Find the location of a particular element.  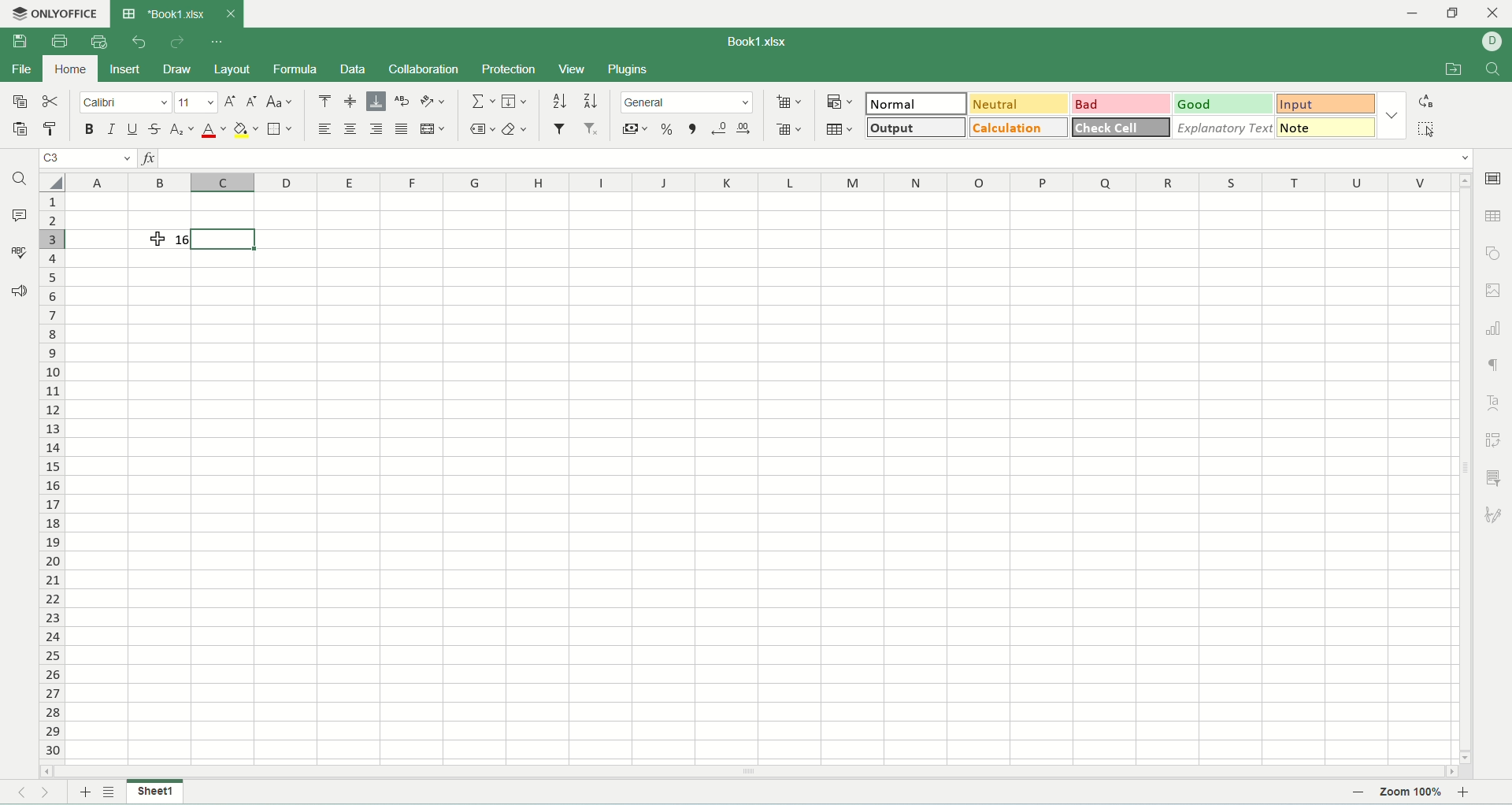

increase decimal is located at coordinates (746, 129).